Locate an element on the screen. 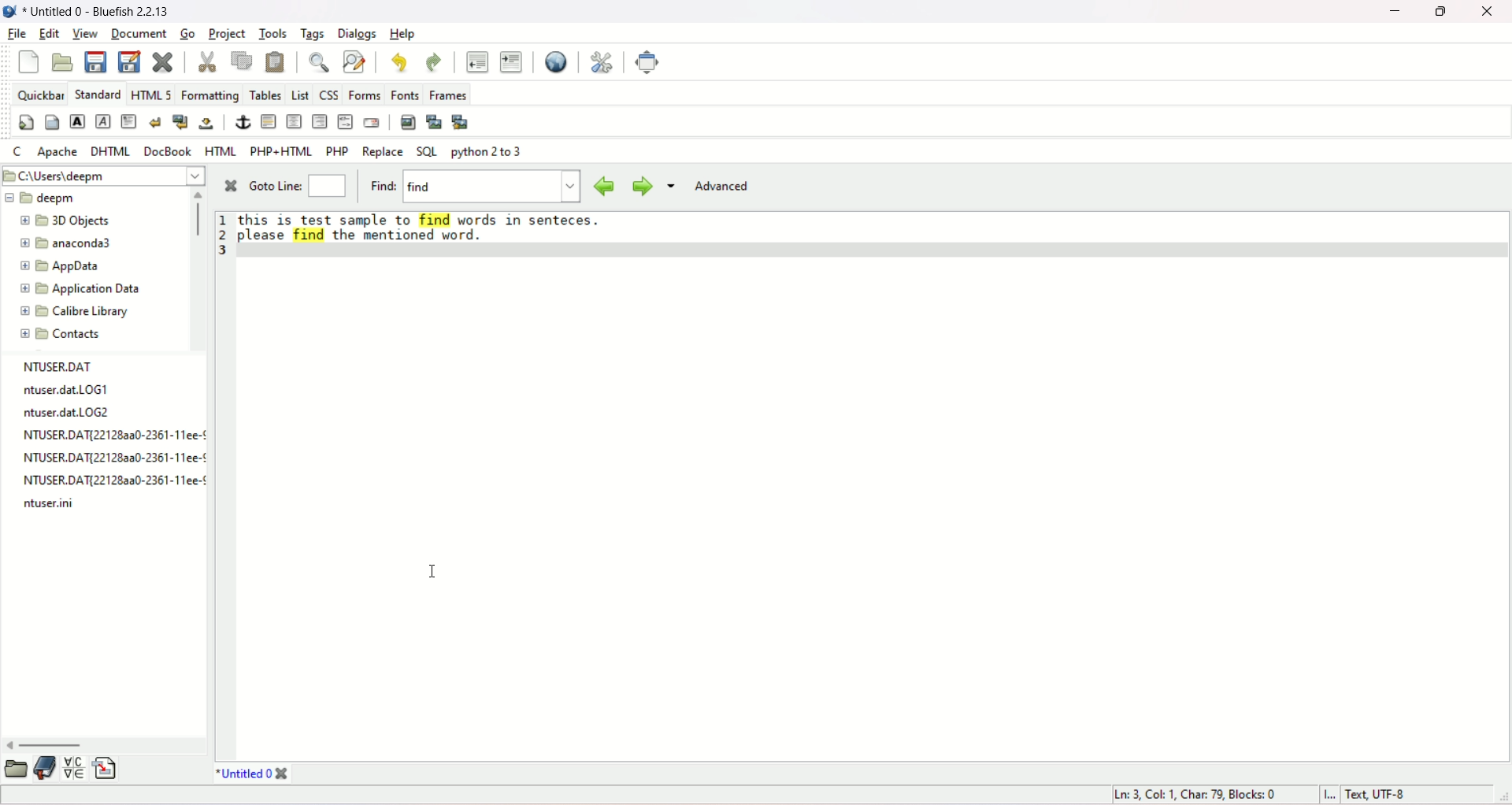  help is located at coordinates (403, 35).